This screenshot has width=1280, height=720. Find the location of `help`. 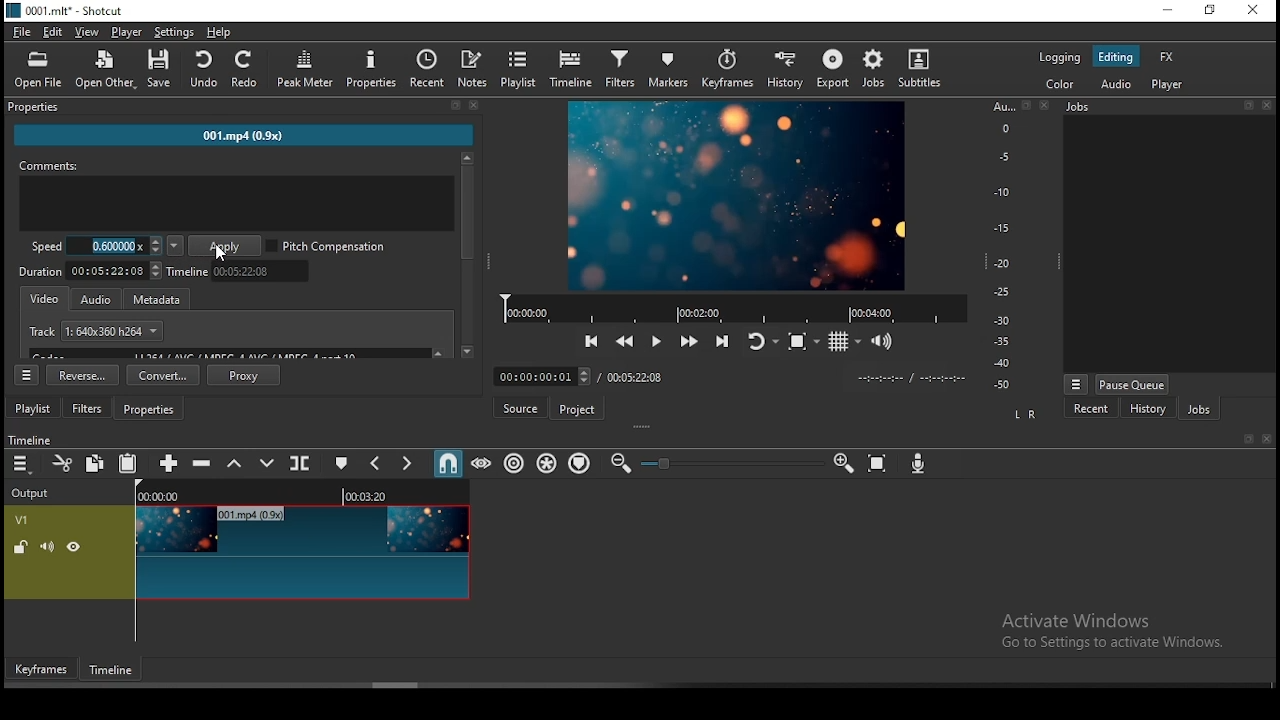

help is located at coordinates (220, 32).